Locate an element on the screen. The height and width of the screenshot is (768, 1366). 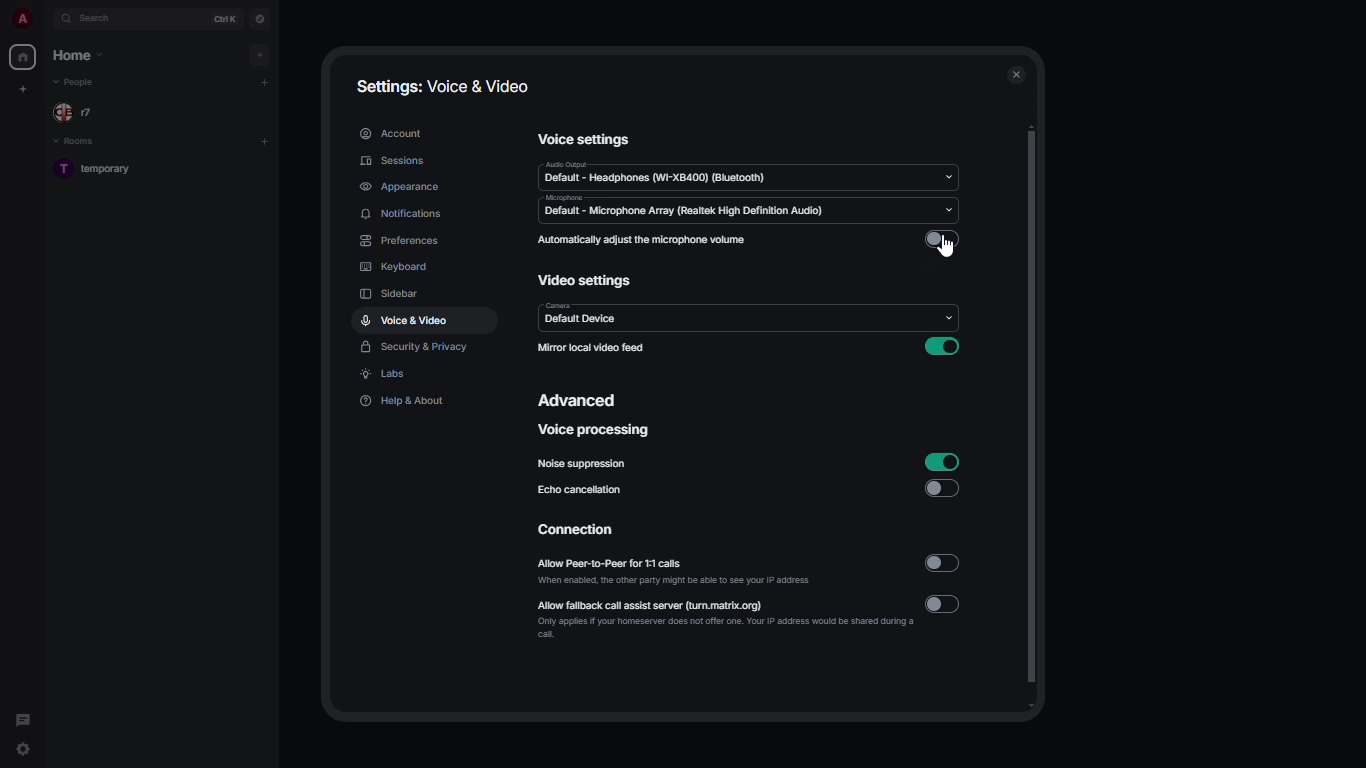
account is located at coordinates (392, 132).